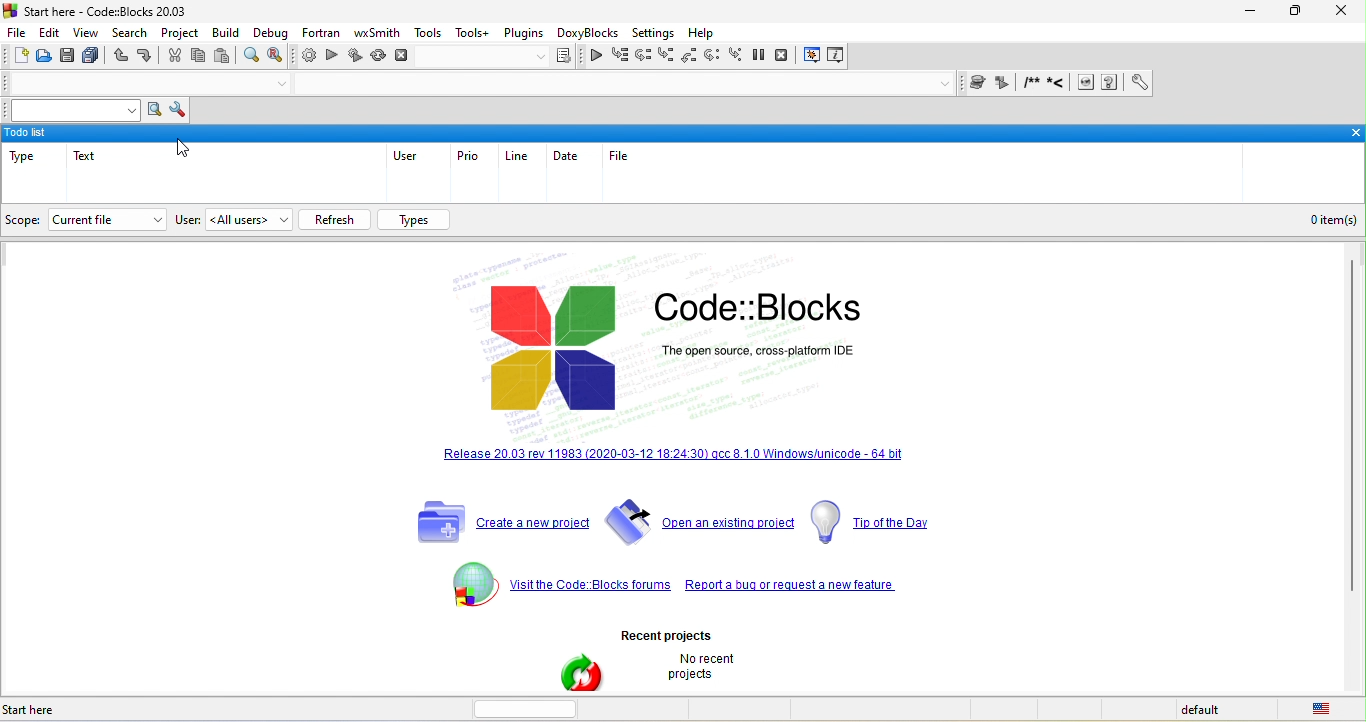 The width and height of the screenshot is (1366, 722). I want to click on view, so click(88, 33).